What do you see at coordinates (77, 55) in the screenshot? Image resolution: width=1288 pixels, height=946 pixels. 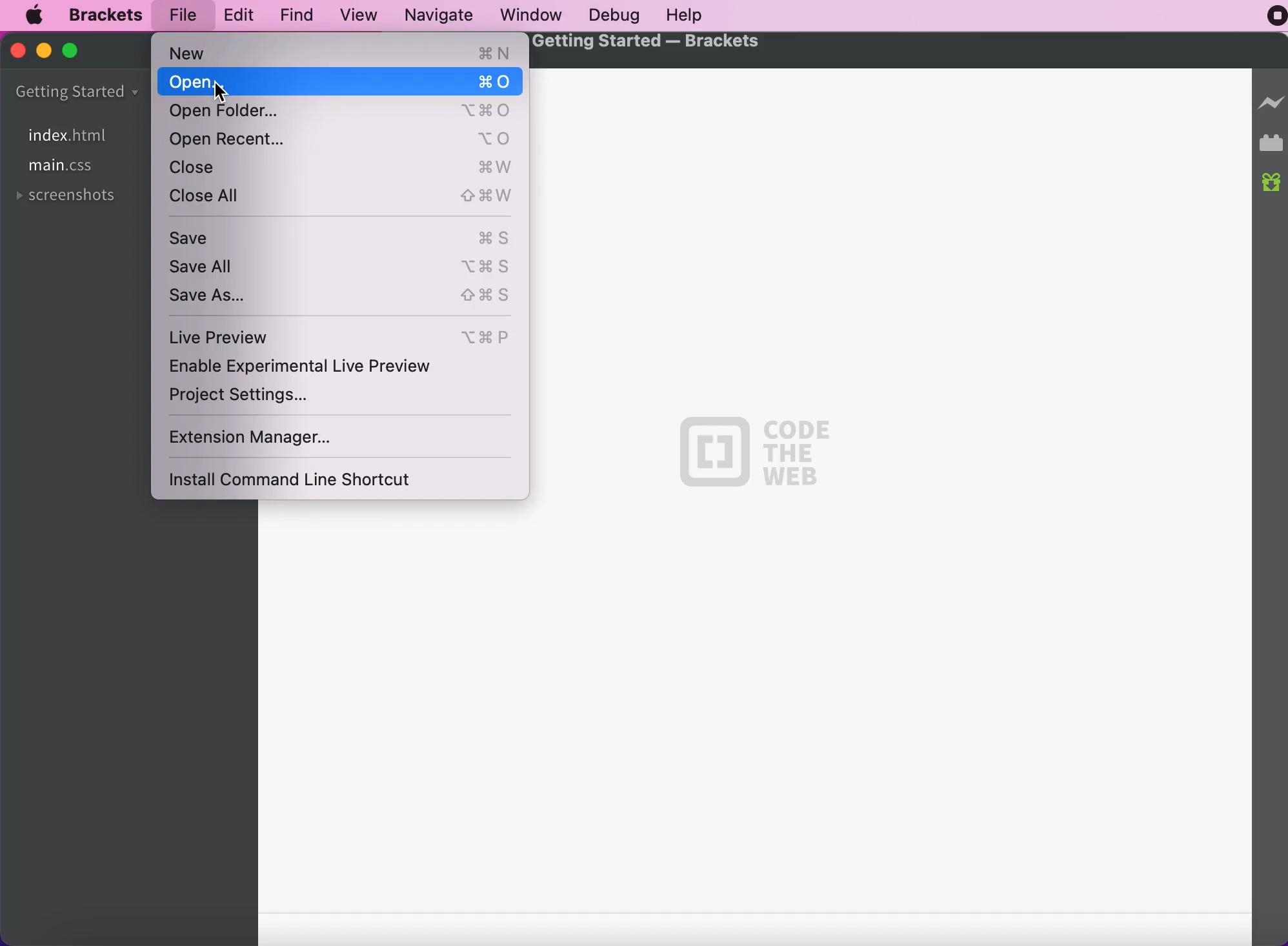 I see `maximize` at bounding box center [77, 55].